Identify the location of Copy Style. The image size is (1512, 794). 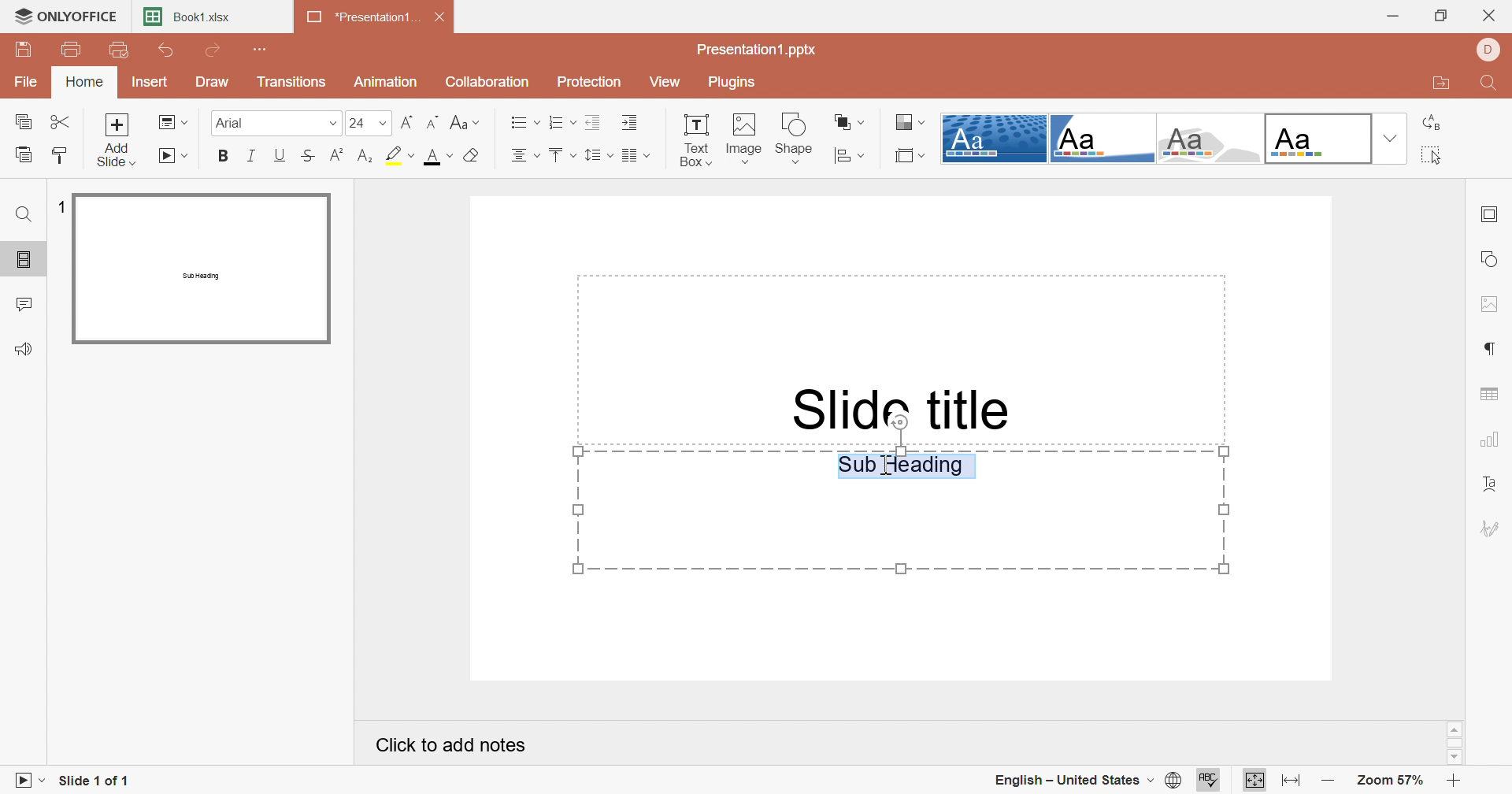
(61, 154).